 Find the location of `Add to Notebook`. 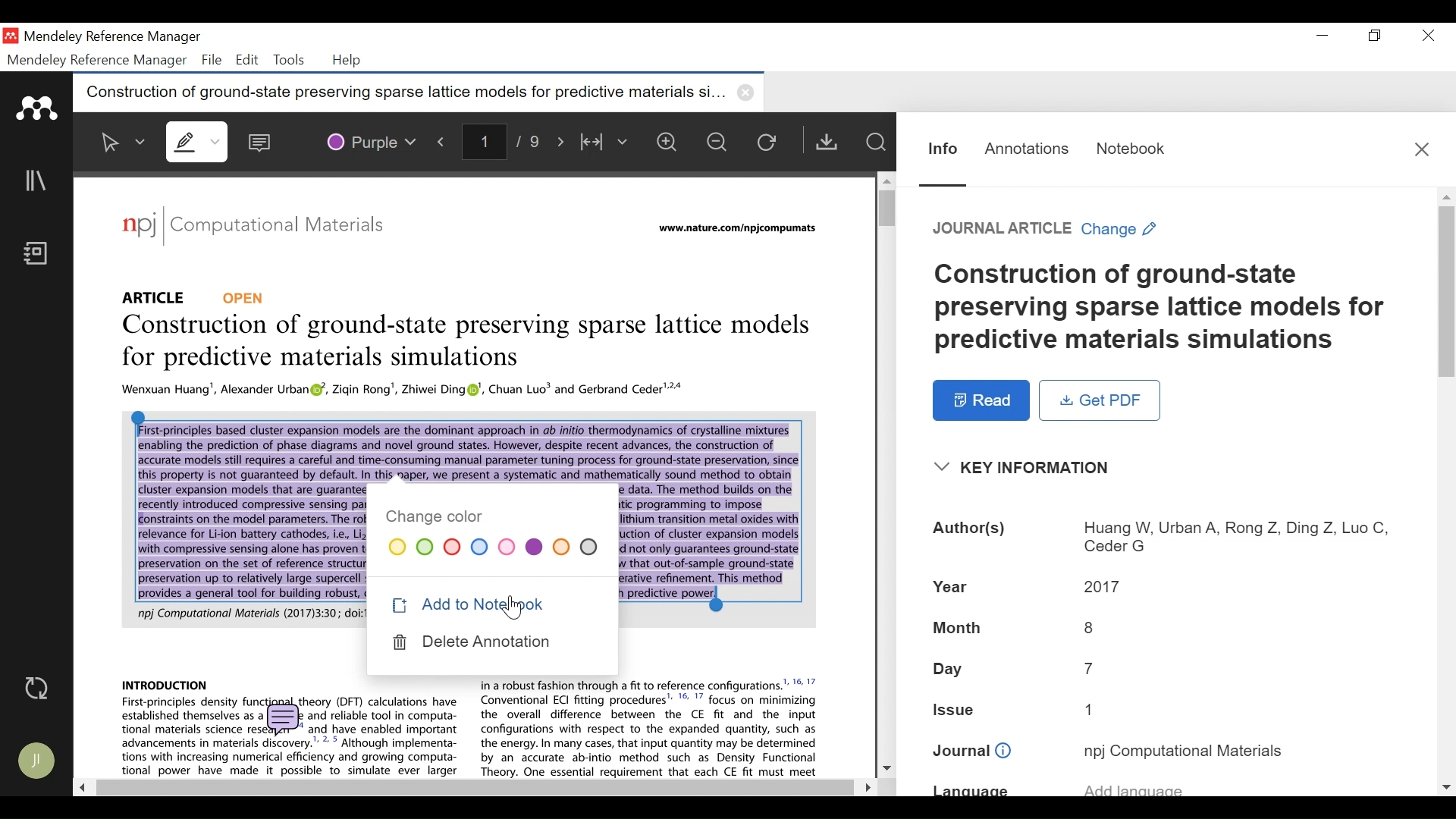

Add to Notebook is located at coordinates (469, 604).